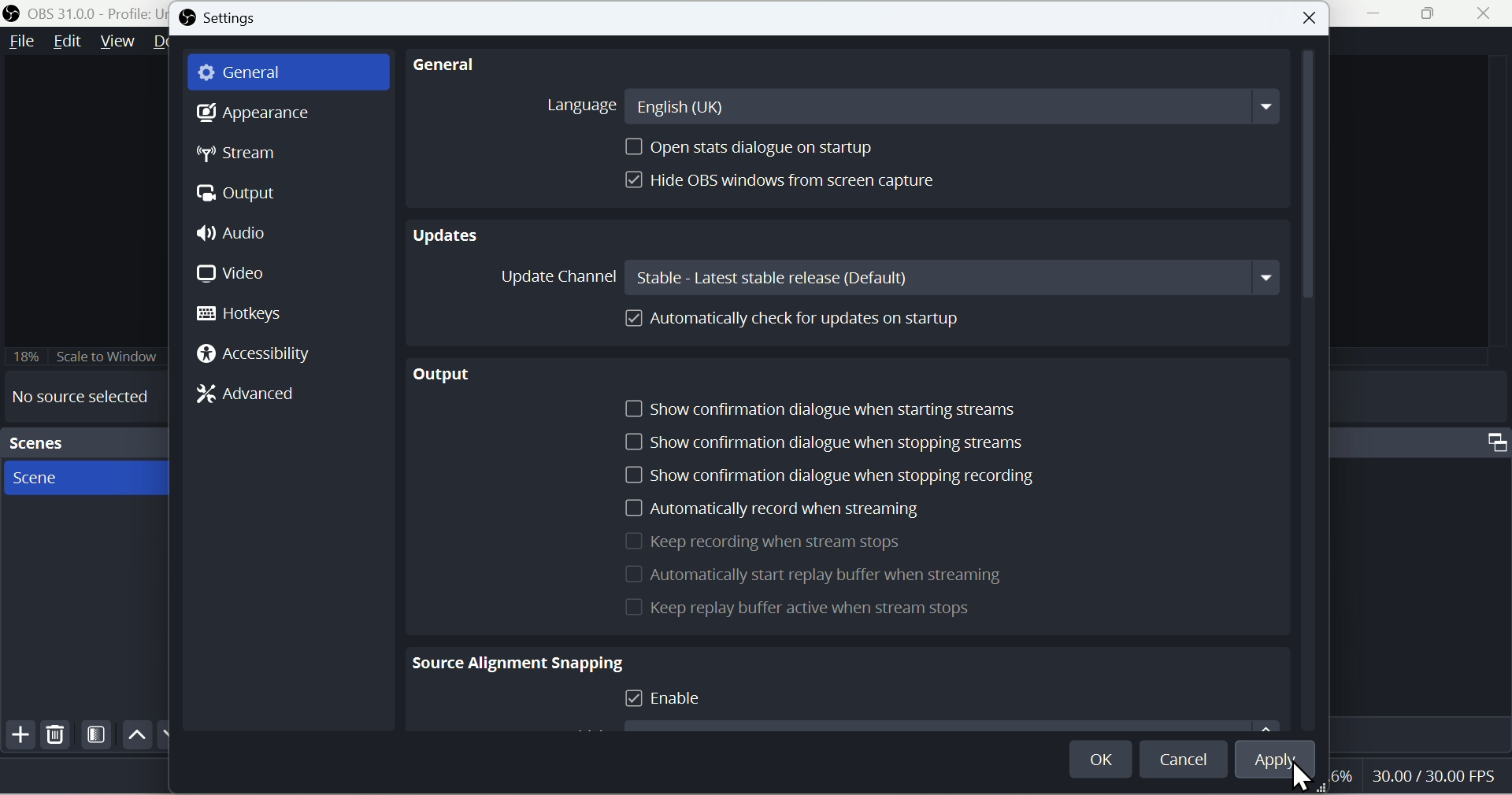 Image resolution: width=1512 pixels, height=795 pixels. Describe the element at coordinates (576, 104) in the screenshot. I see `Language` at that location.